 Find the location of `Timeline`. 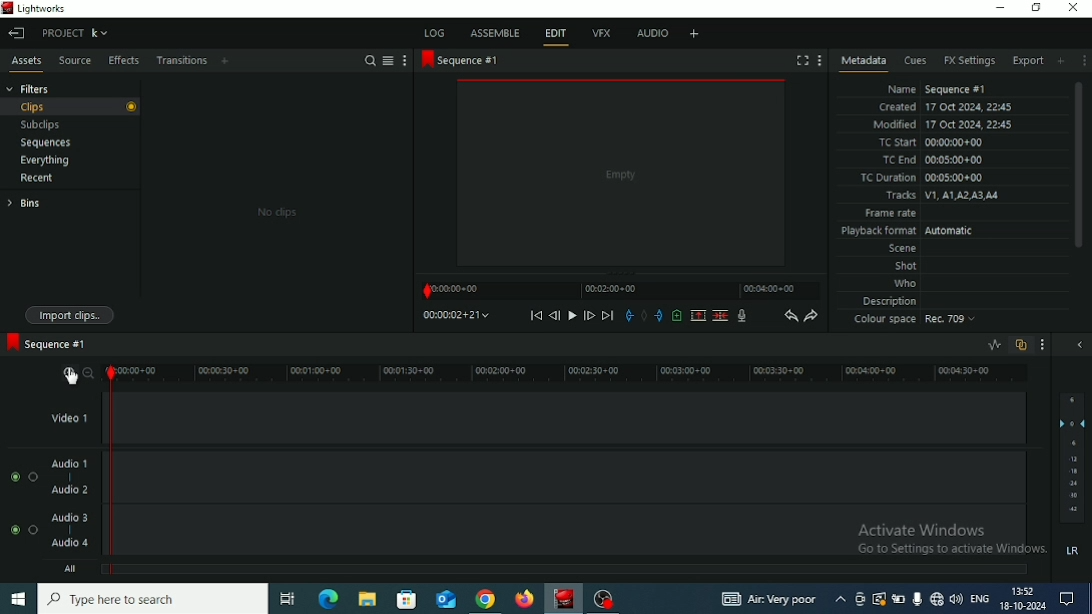

Timeline is located at coordinates (570, 373).